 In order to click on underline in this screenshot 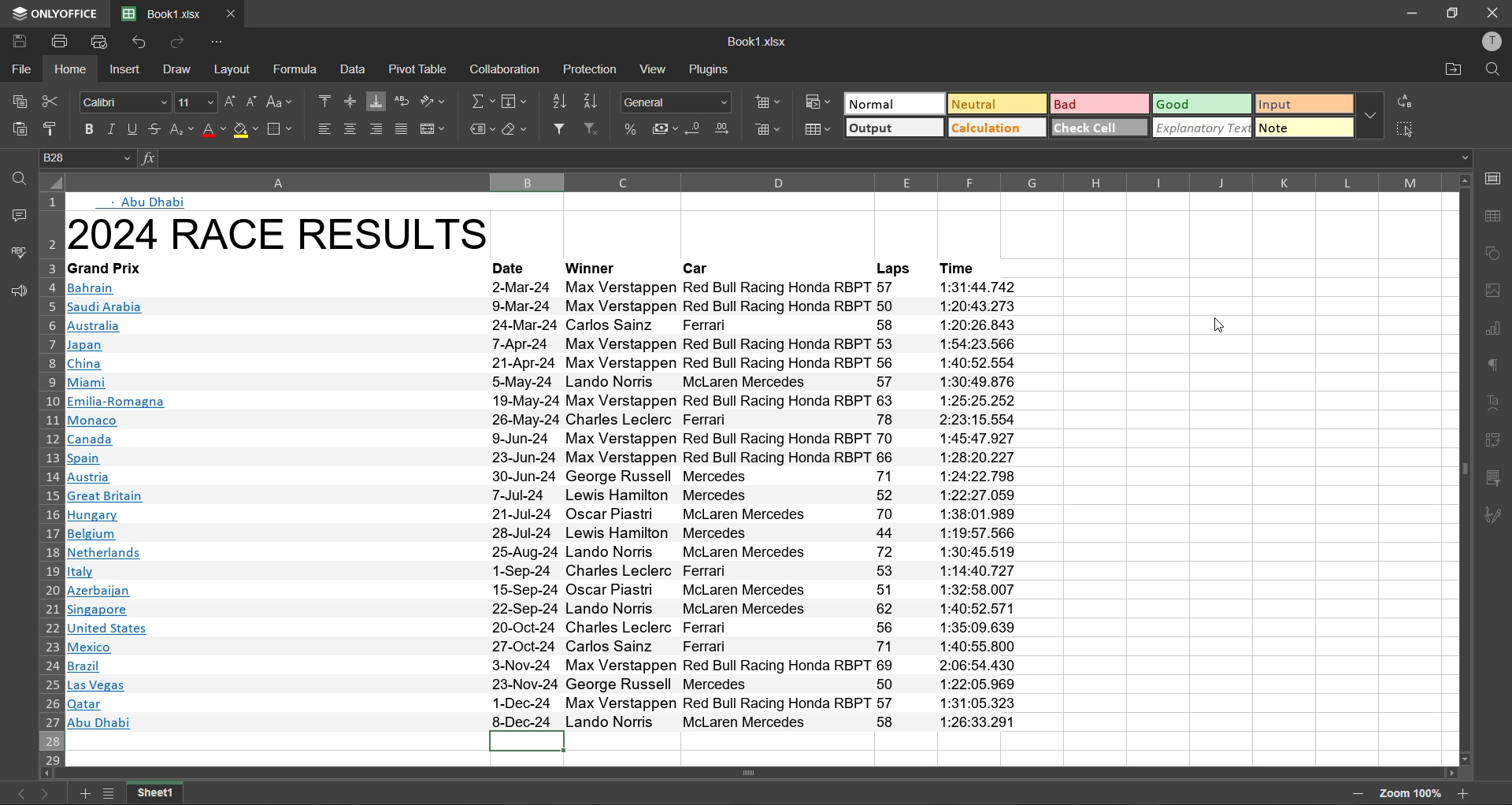, I will do `click(135, 129)`.